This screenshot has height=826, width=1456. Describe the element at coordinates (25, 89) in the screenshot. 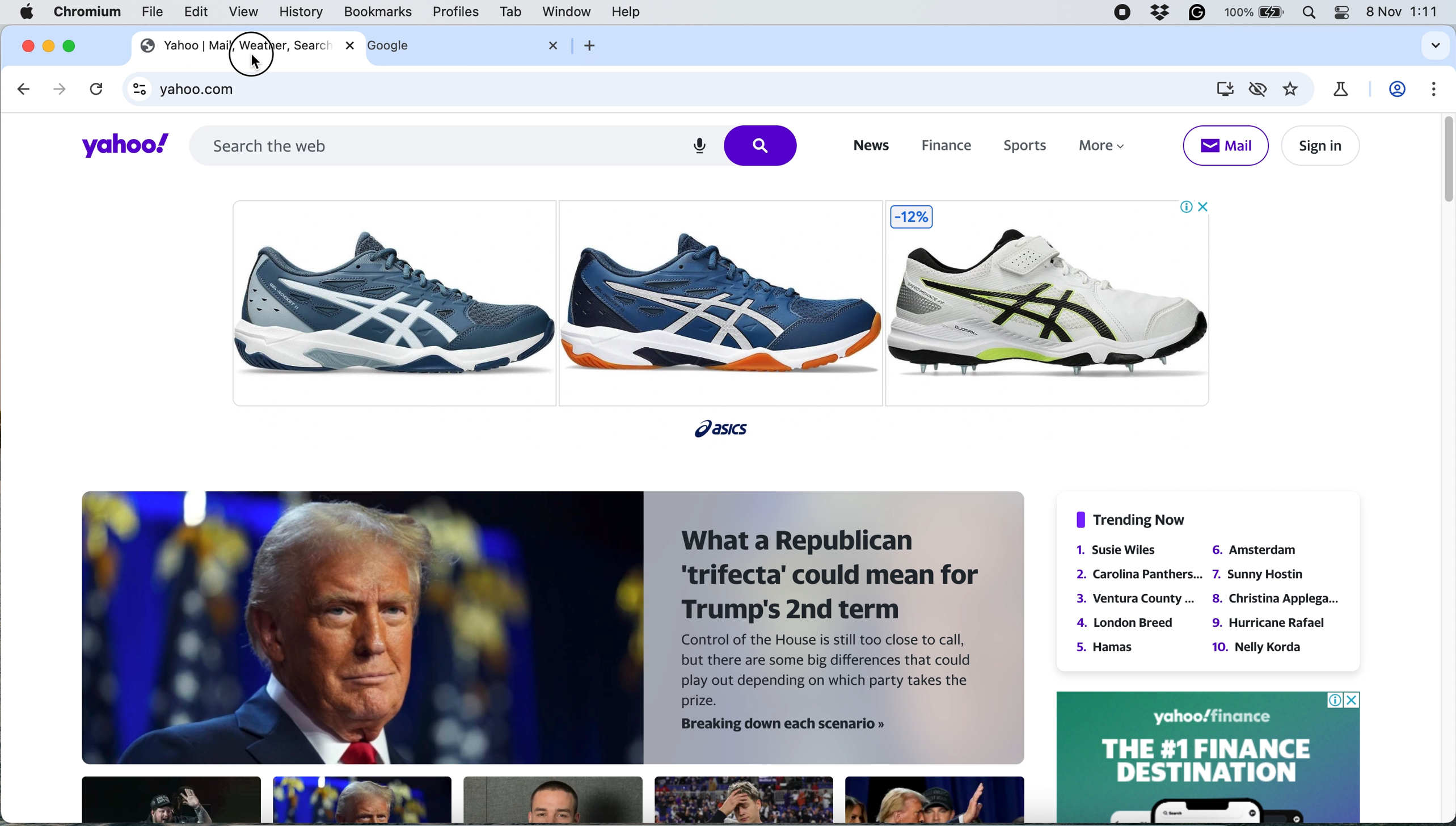

I see `go back` at that location.